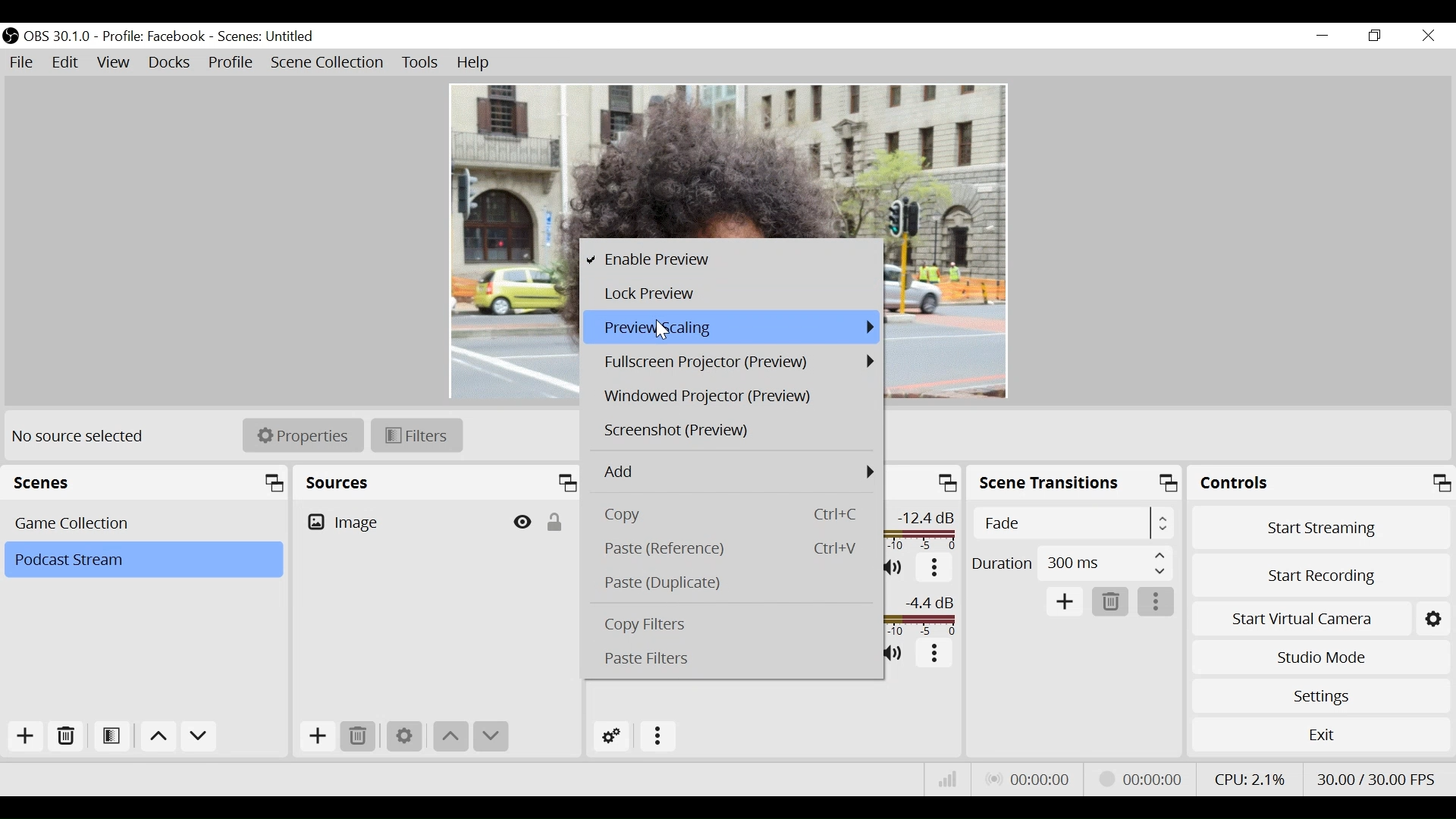 Image resolution: width=1456 pixels, height=819 pixels. Describe the element at coordinates (267, 37) in the screenshot. I see `Scene` at that location.